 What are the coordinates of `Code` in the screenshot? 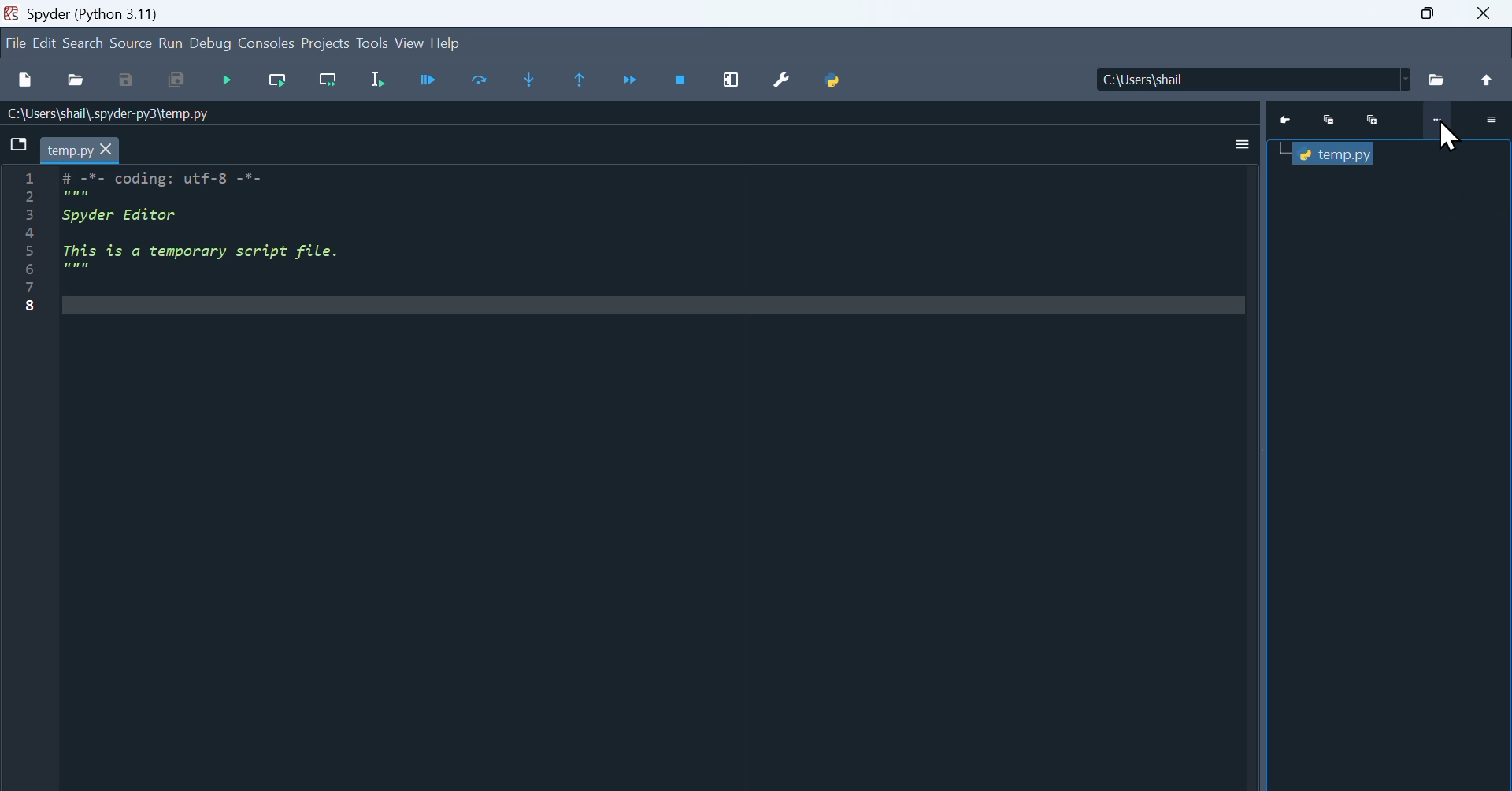 It's located at (225, 224).